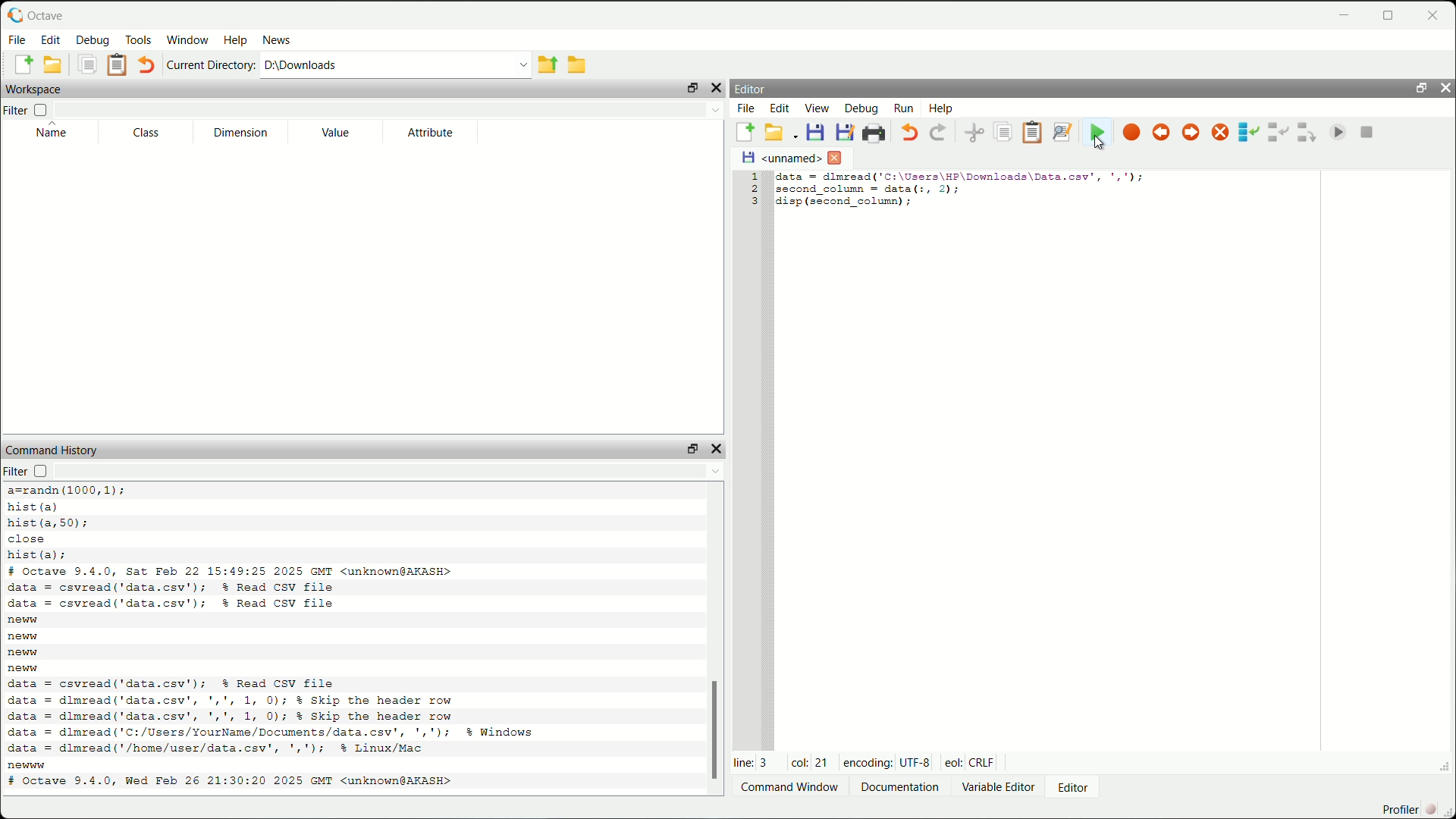 This screenshot has height=819, width=1456. What do you see at coordinates (84, 523) in the screenshot?
I see `code` at bounding box center [84, 523].